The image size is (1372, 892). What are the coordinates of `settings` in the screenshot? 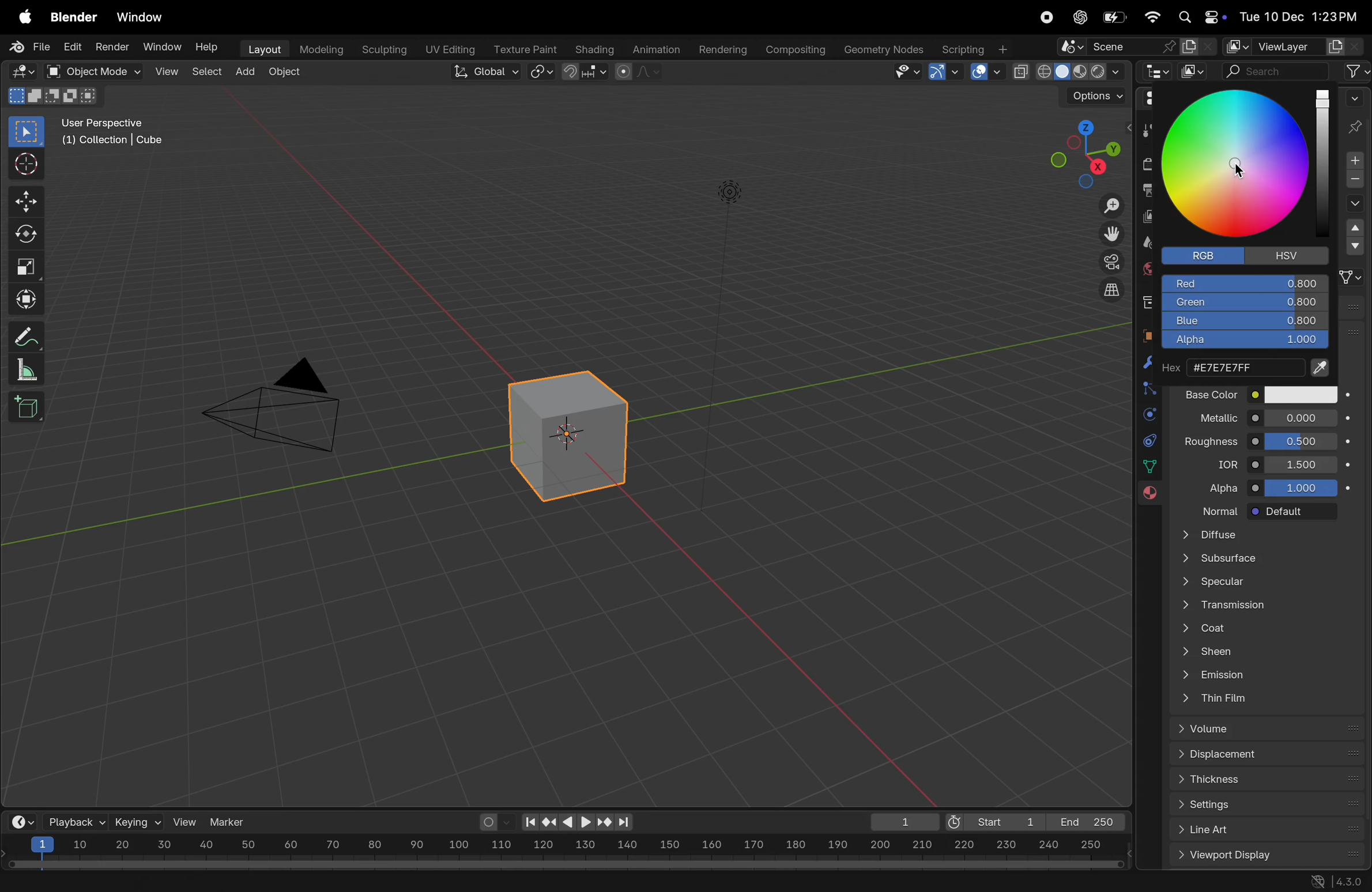 It's located at (1272, 806).